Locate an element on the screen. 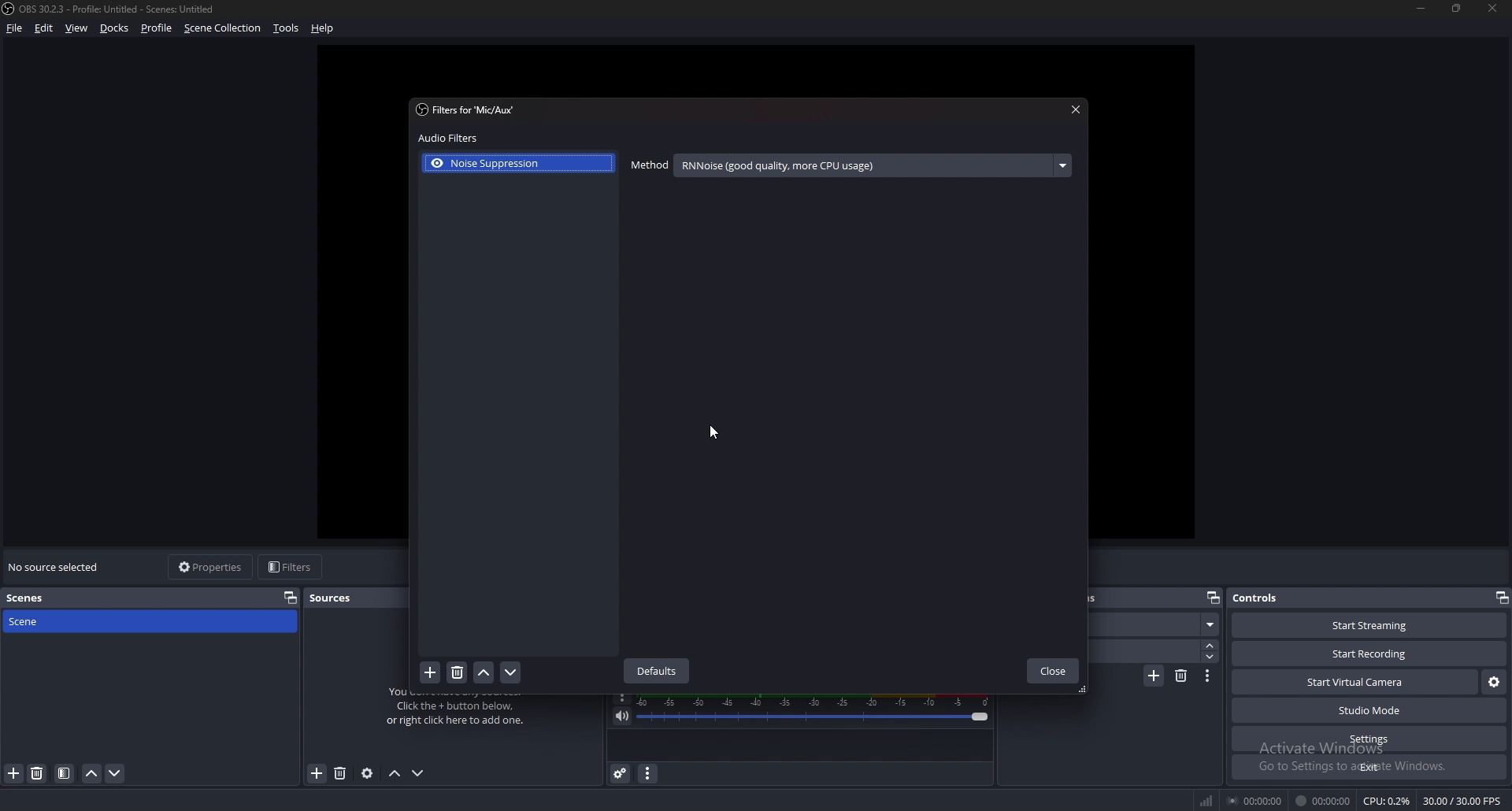 The height and width of the screenshot is (811, 1512). add scene is located at coordinates (14, 773).